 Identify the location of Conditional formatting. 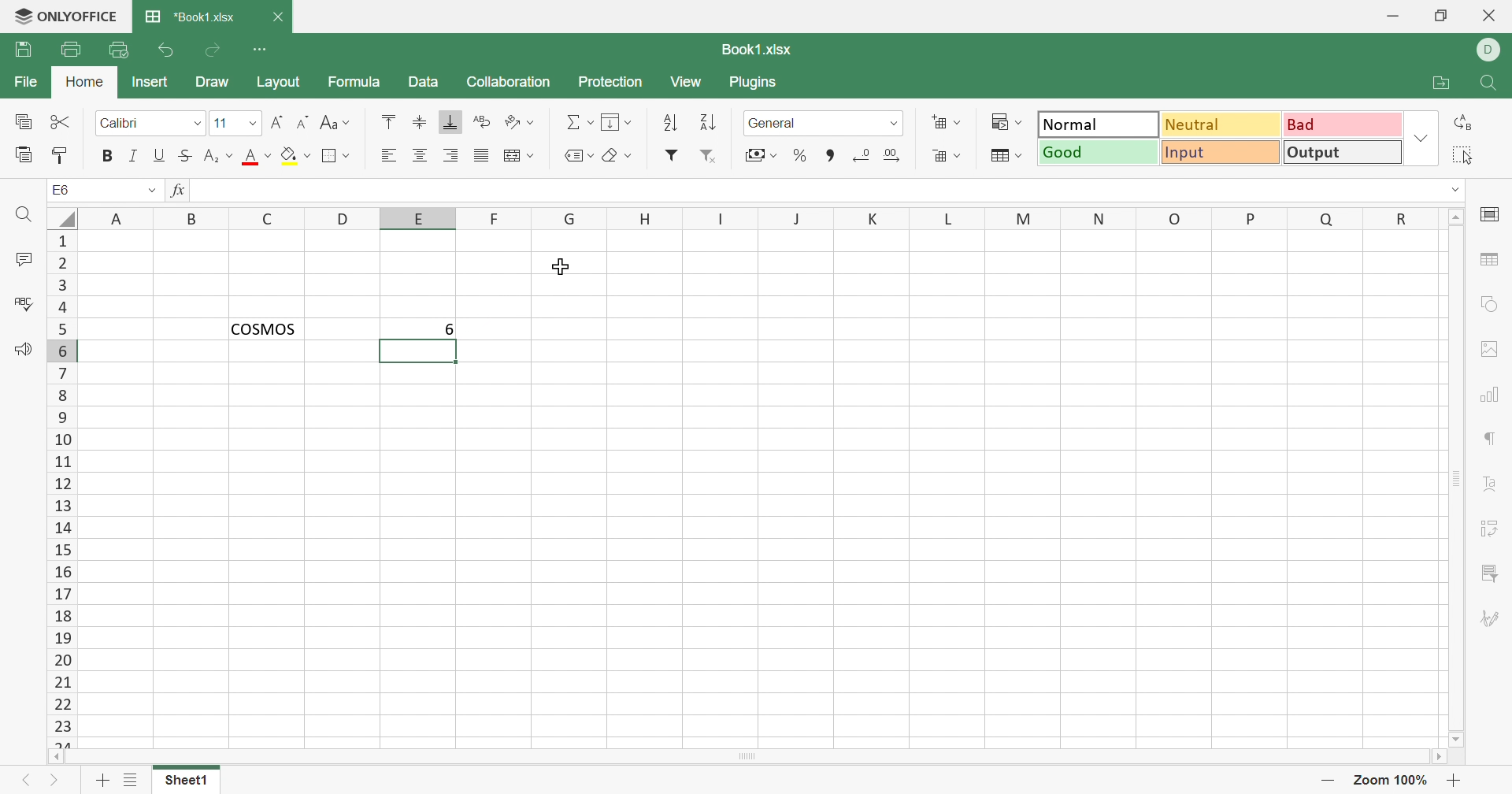
(1005, 121).